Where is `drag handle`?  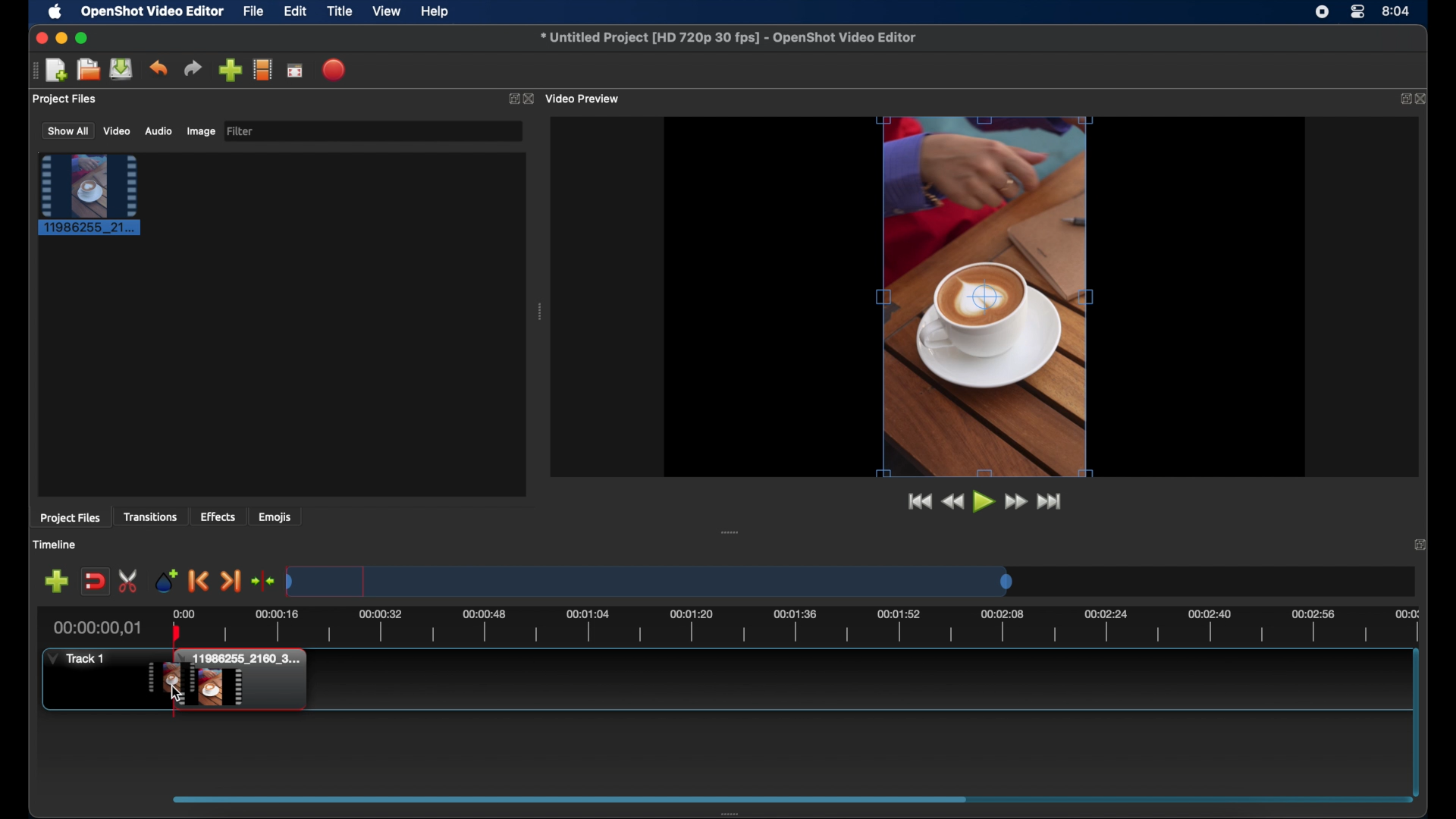 drag handle is located at coordinates (32, 71).